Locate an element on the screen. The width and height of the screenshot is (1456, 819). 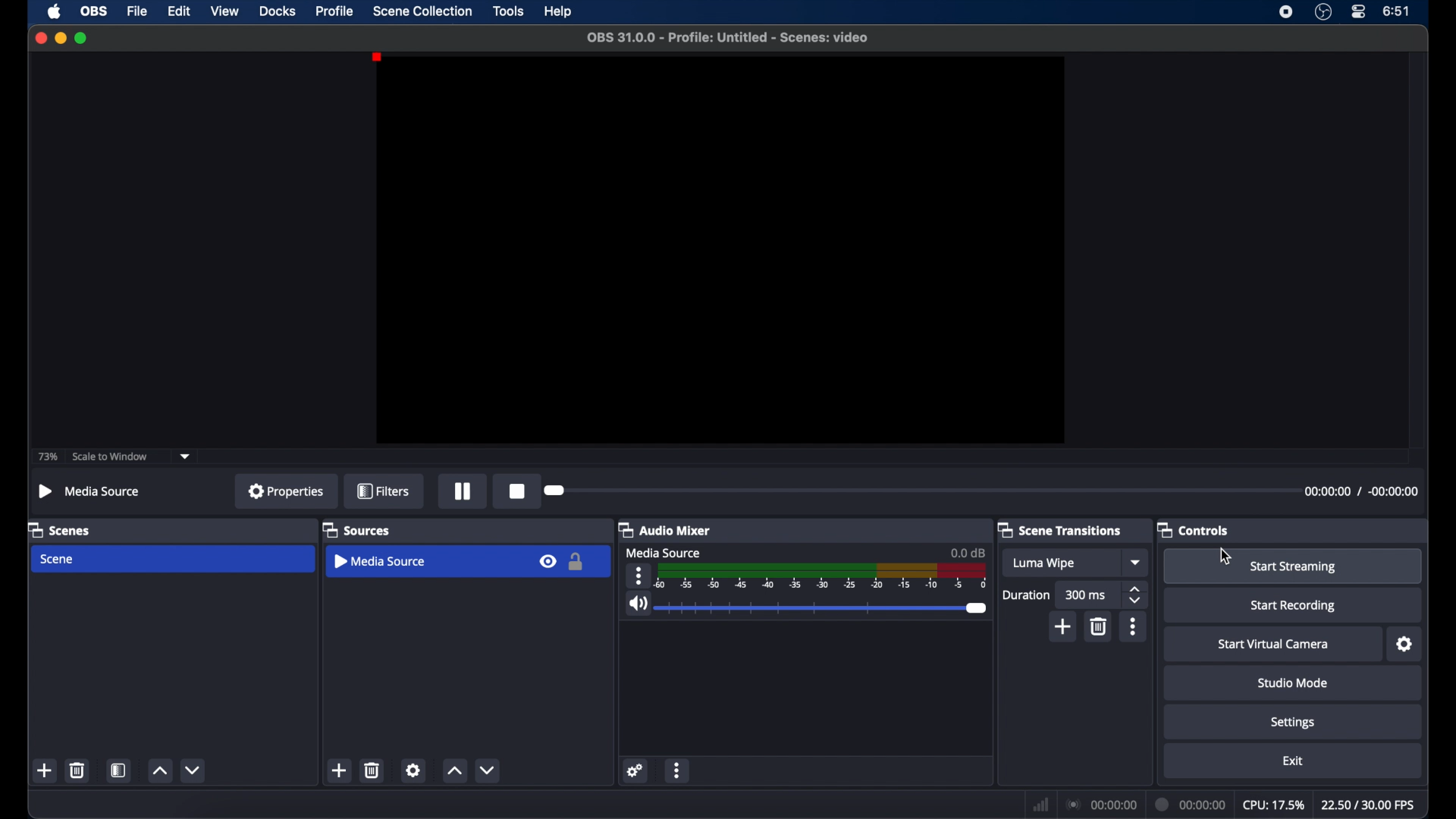
file is located at coordinates (137, 11).